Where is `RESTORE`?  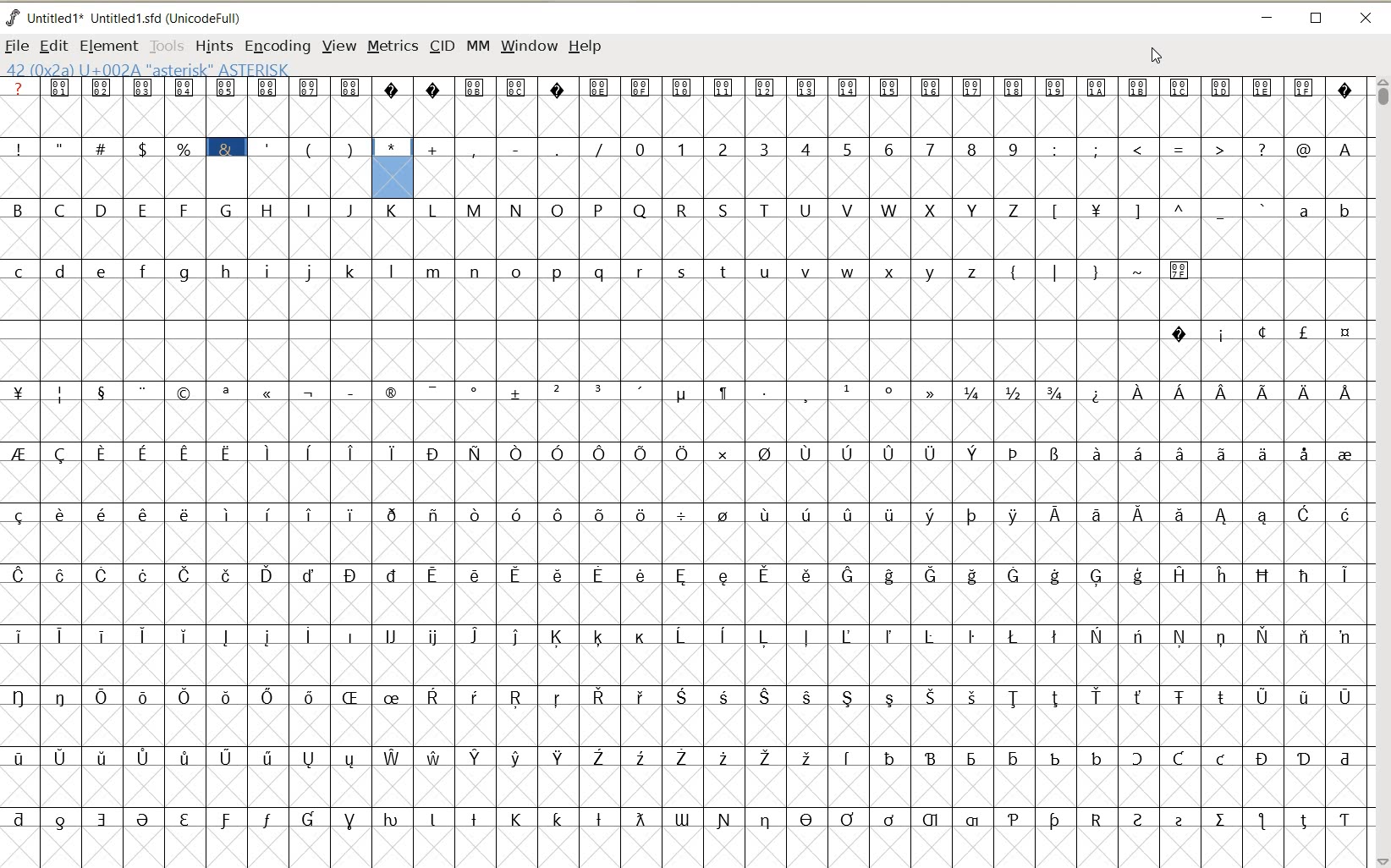
RESTORE is located at coordinates (1317, 19).